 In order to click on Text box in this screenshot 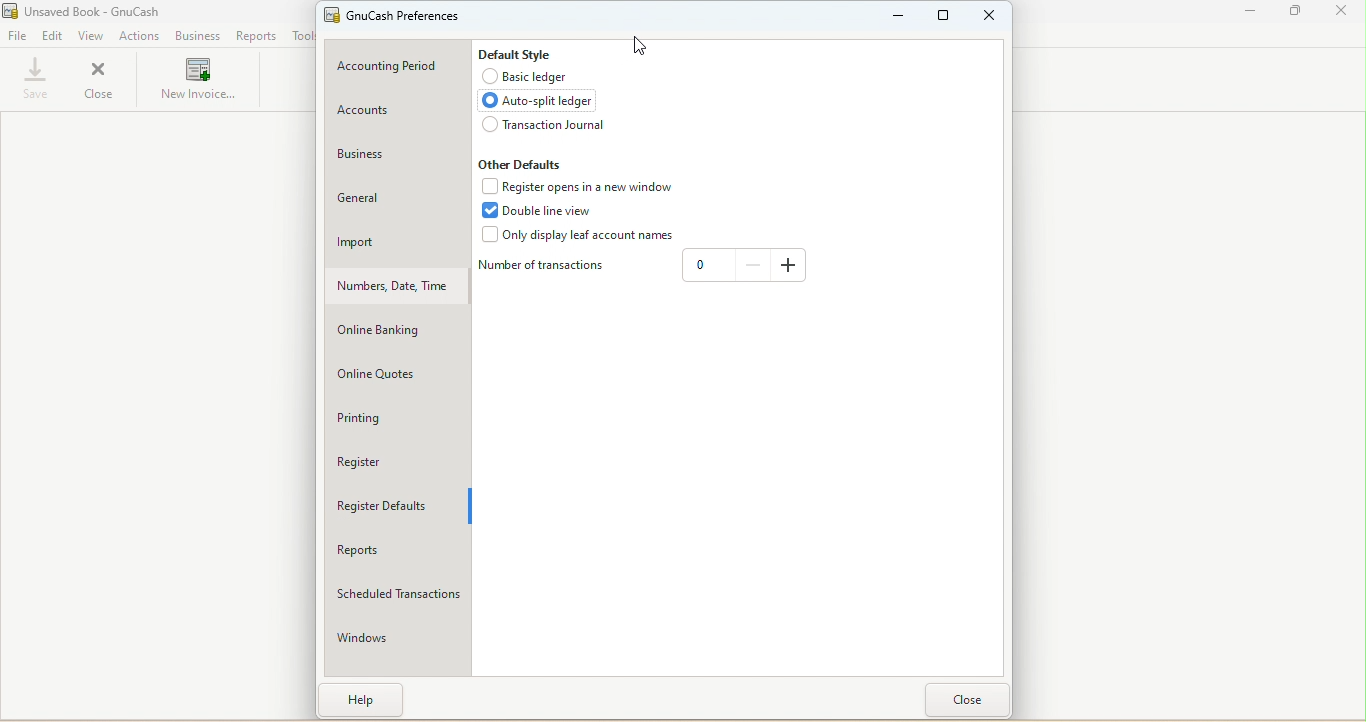, I will do `click(707, 266)`.